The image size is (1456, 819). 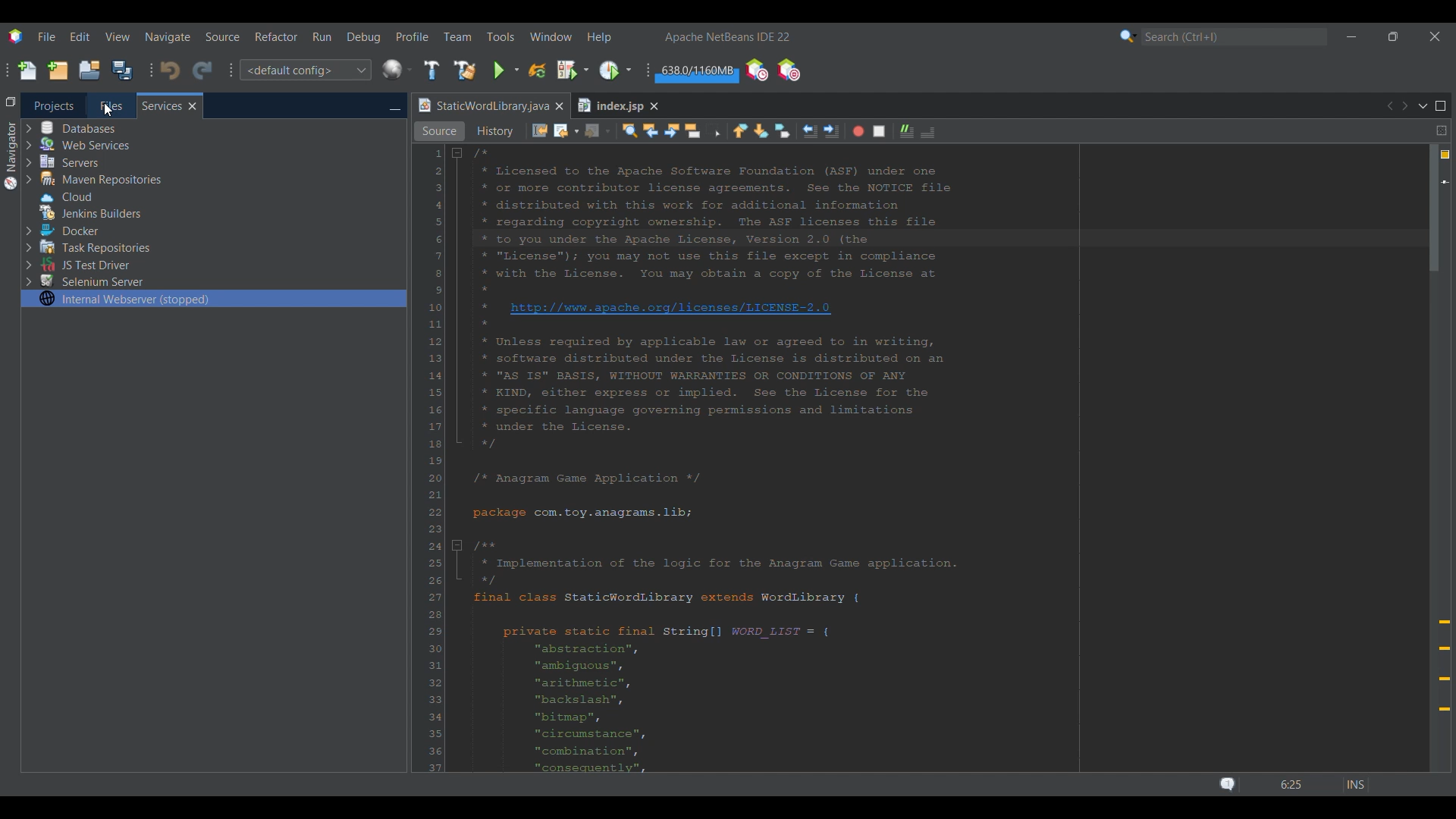 What do you see at coordinates (757, 71) in the screenshot?
I see `Profile the IDE` at bounding box center [757, 71].